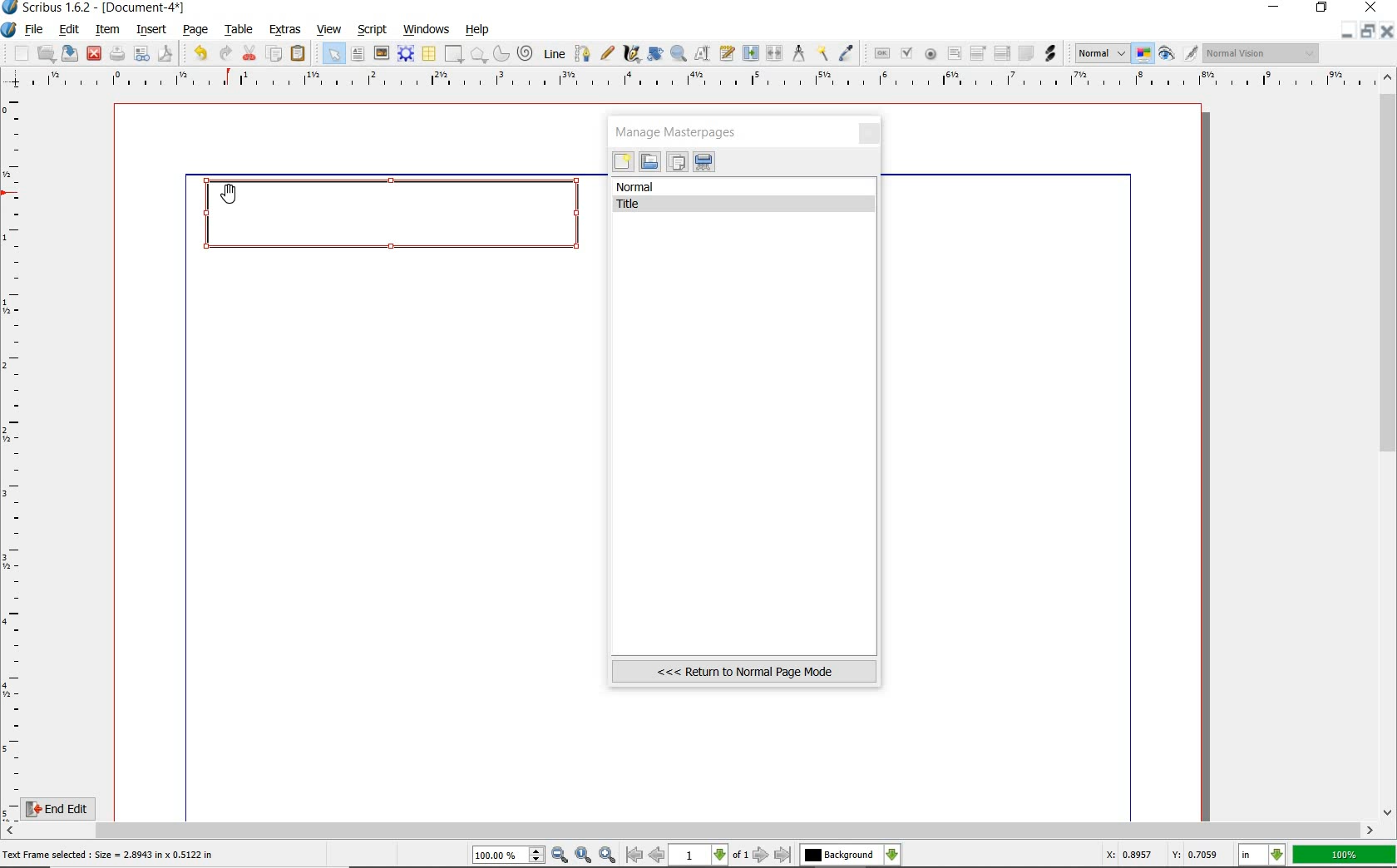 The height and width of the screenshot is (868, 1397). Describe the element at coordinates (851, 856) in the screenshot. I see `Background` at that location.